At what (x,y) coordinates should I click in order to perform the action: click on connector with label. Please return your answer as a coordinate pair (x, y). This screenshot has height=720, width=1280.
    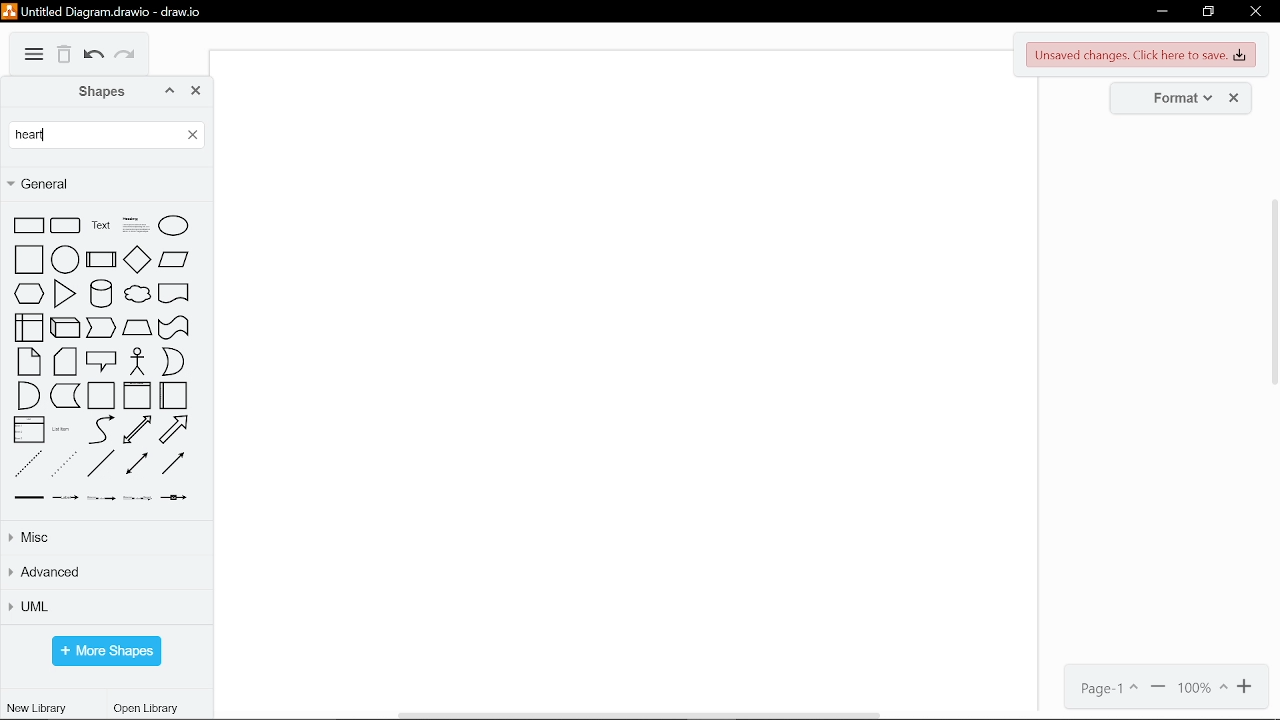
    Looking at the image, I should click on (66, 498).